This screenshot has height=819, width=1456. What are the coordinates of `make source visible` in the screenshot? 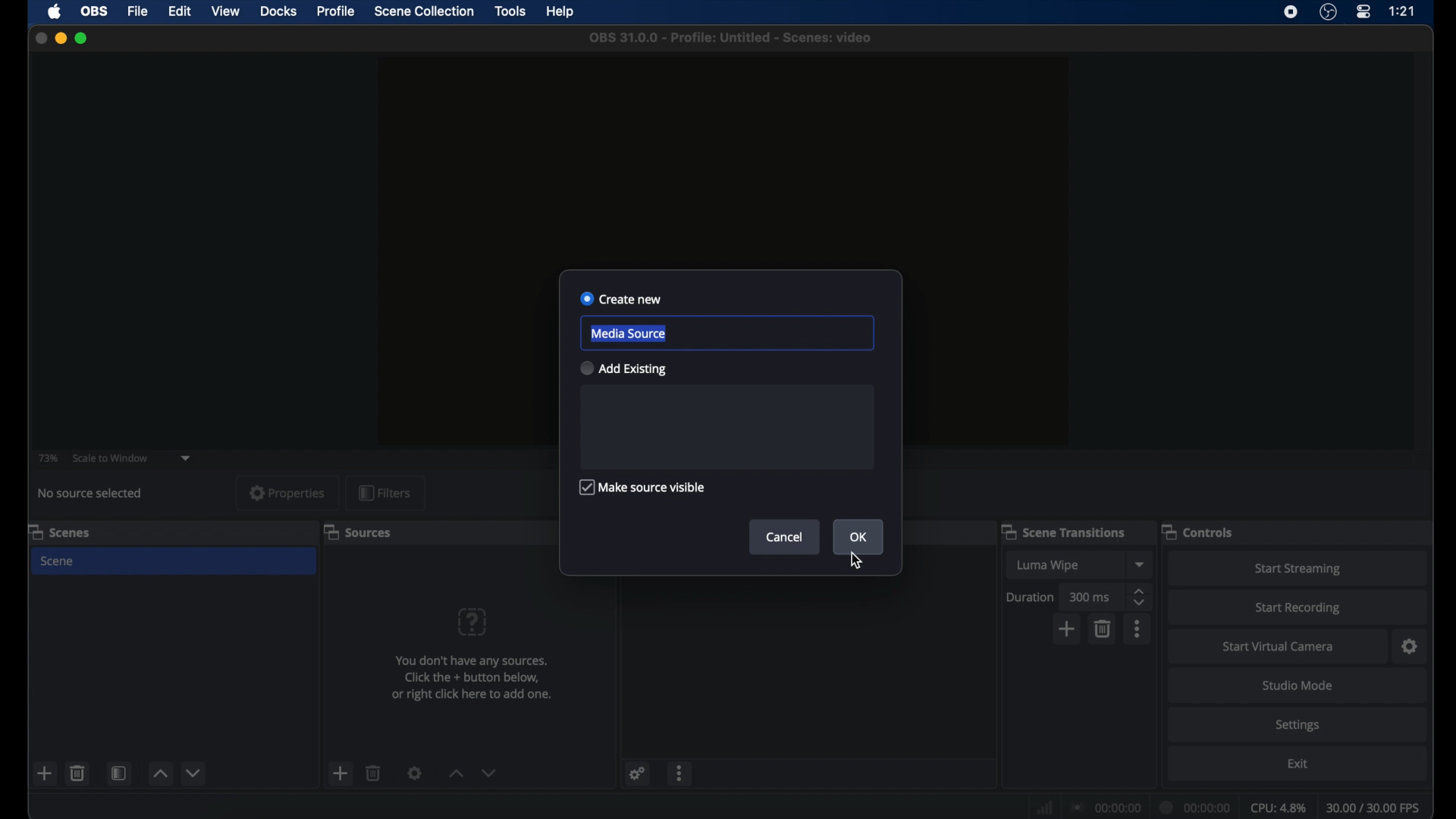 It's located at (645, 488).